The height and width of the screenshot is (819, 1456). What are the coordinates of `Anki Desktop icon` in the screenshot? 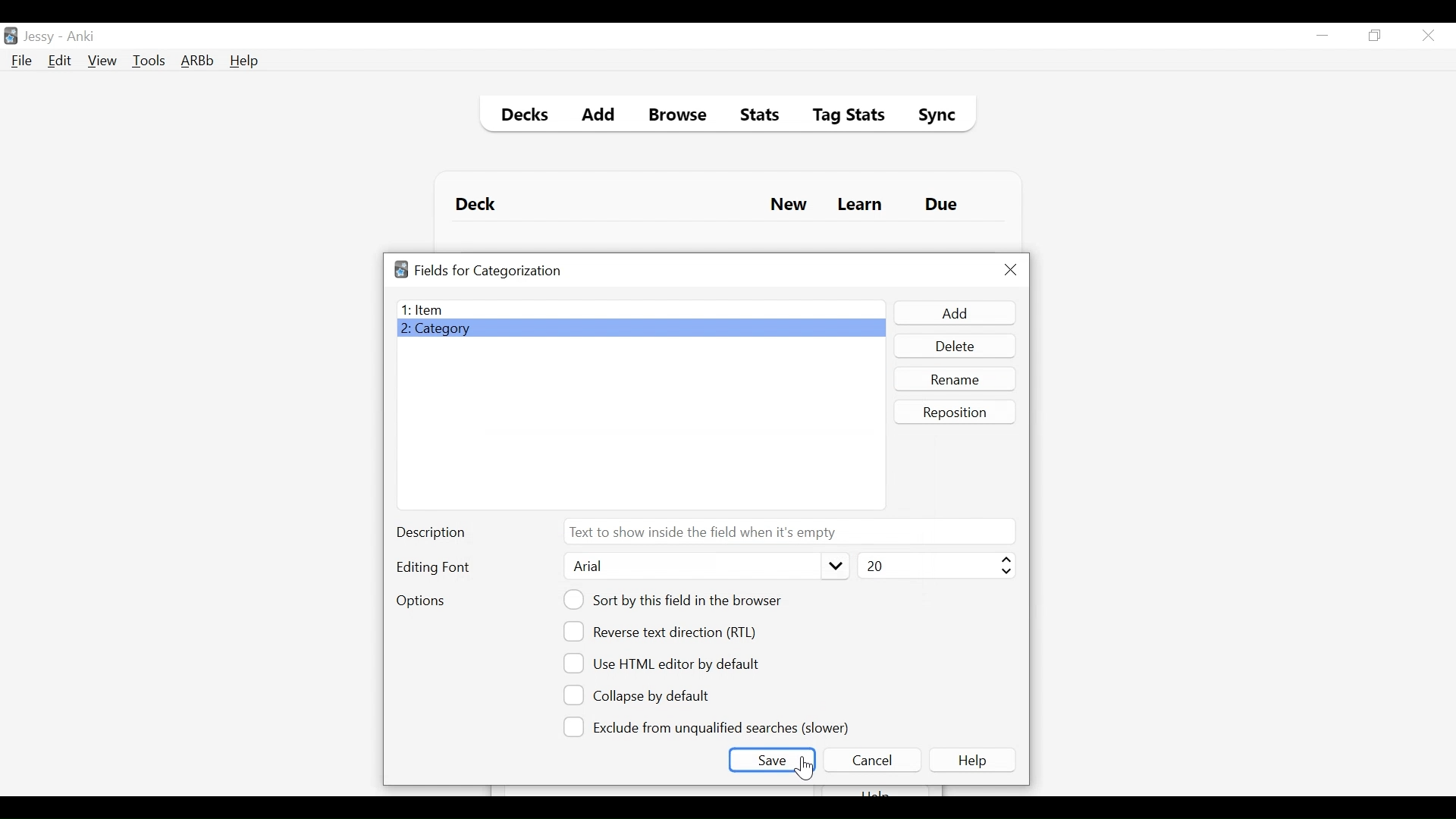 It's located at (11, 36).